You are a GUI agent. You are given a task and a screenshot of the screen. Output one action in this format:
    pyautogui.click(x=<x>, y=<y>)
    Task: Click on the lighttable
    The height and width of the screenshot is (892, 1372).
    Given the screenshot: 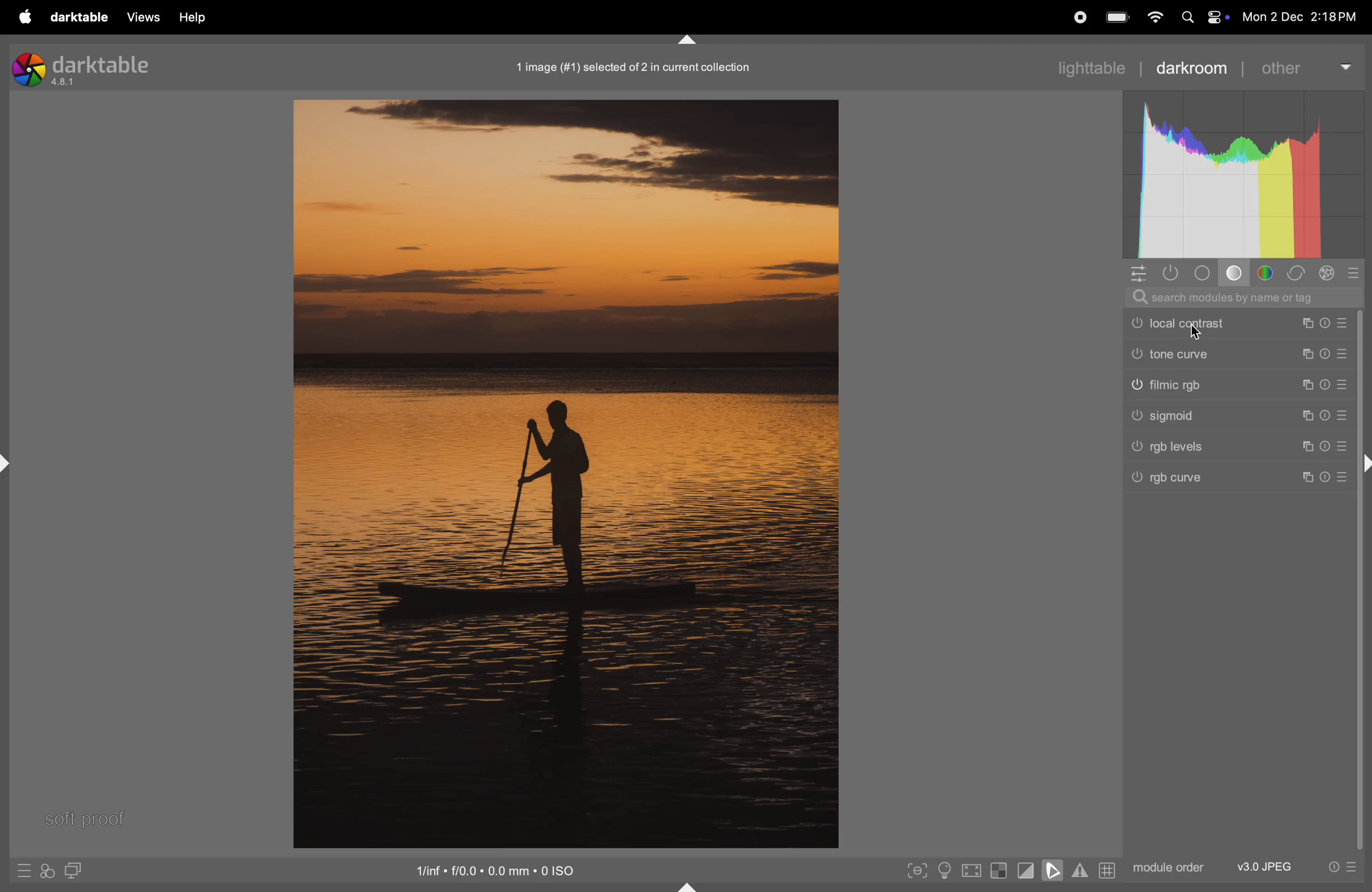 What is the action you would take?
    pyautogui.click(x=1092, y=67)
    